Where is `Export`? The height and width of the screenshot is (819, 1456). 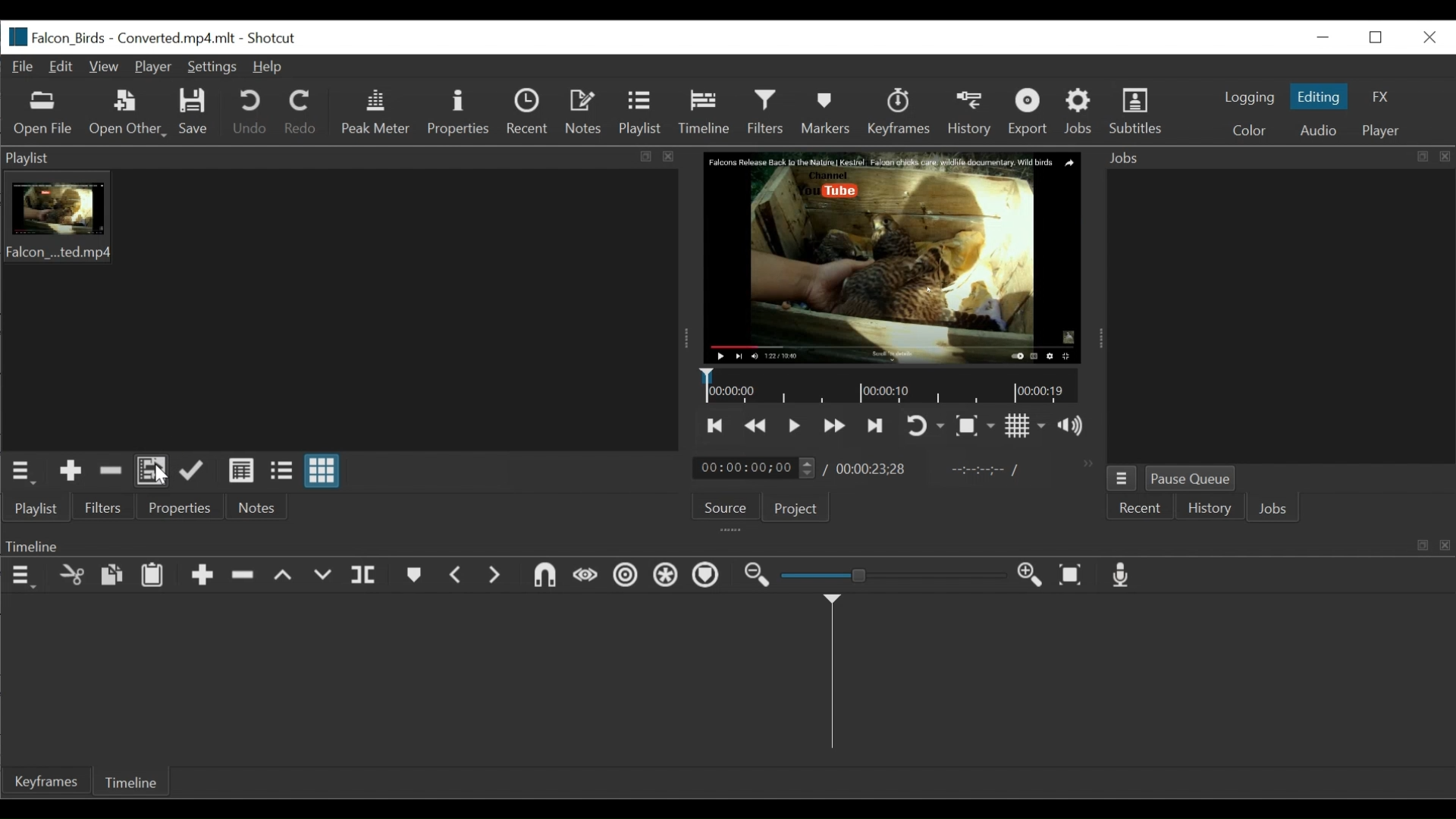
Export is located at coordinates (1031, 112).